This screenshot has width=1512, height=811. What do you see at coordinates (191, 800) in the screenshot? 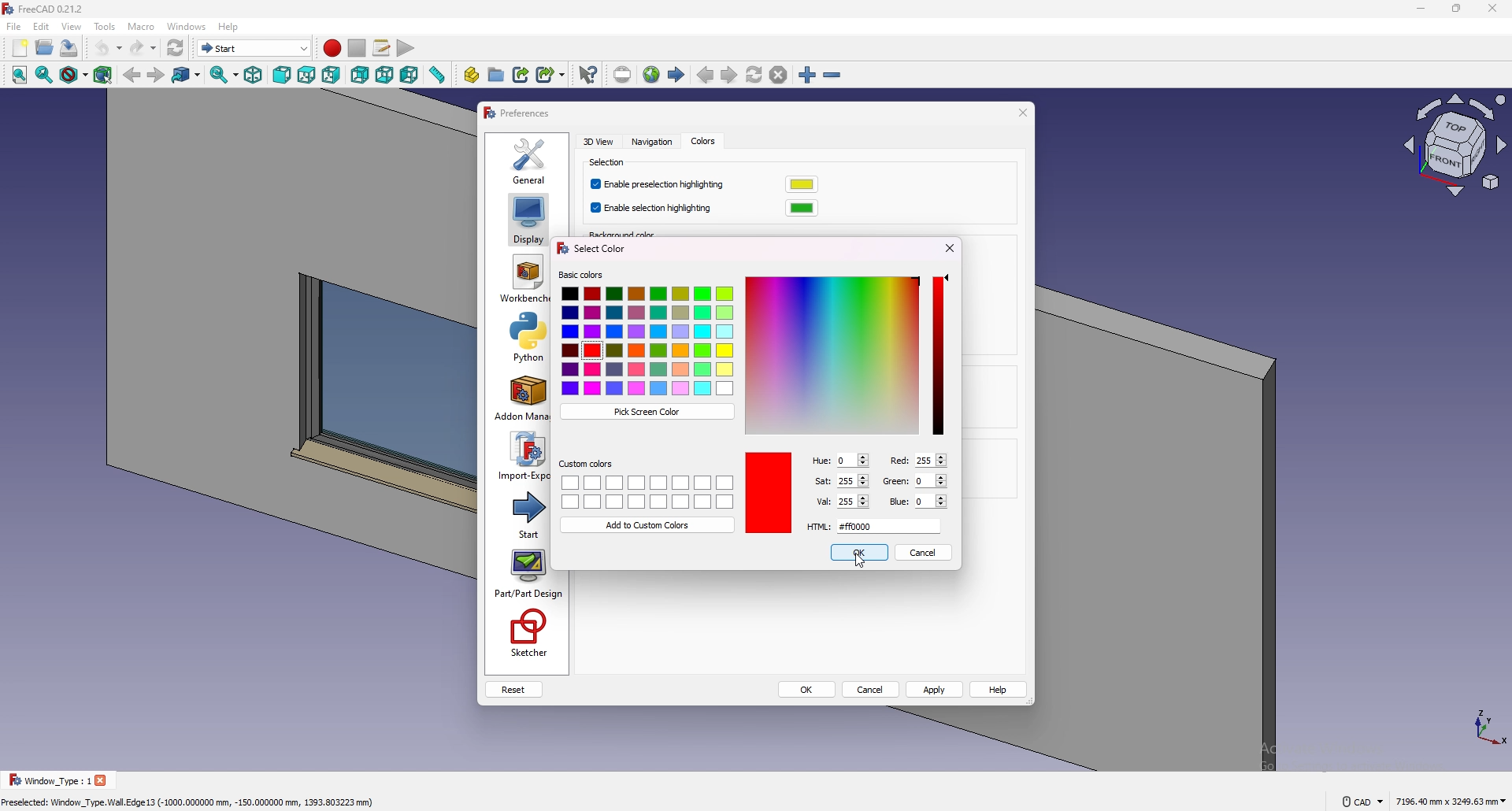
I see `Preselected: Window_Type.Wall. Edge 13 (-1000,000000 mm, -150.000000 mm, 1393.803223 mm)` at bounding box center [191, 800].